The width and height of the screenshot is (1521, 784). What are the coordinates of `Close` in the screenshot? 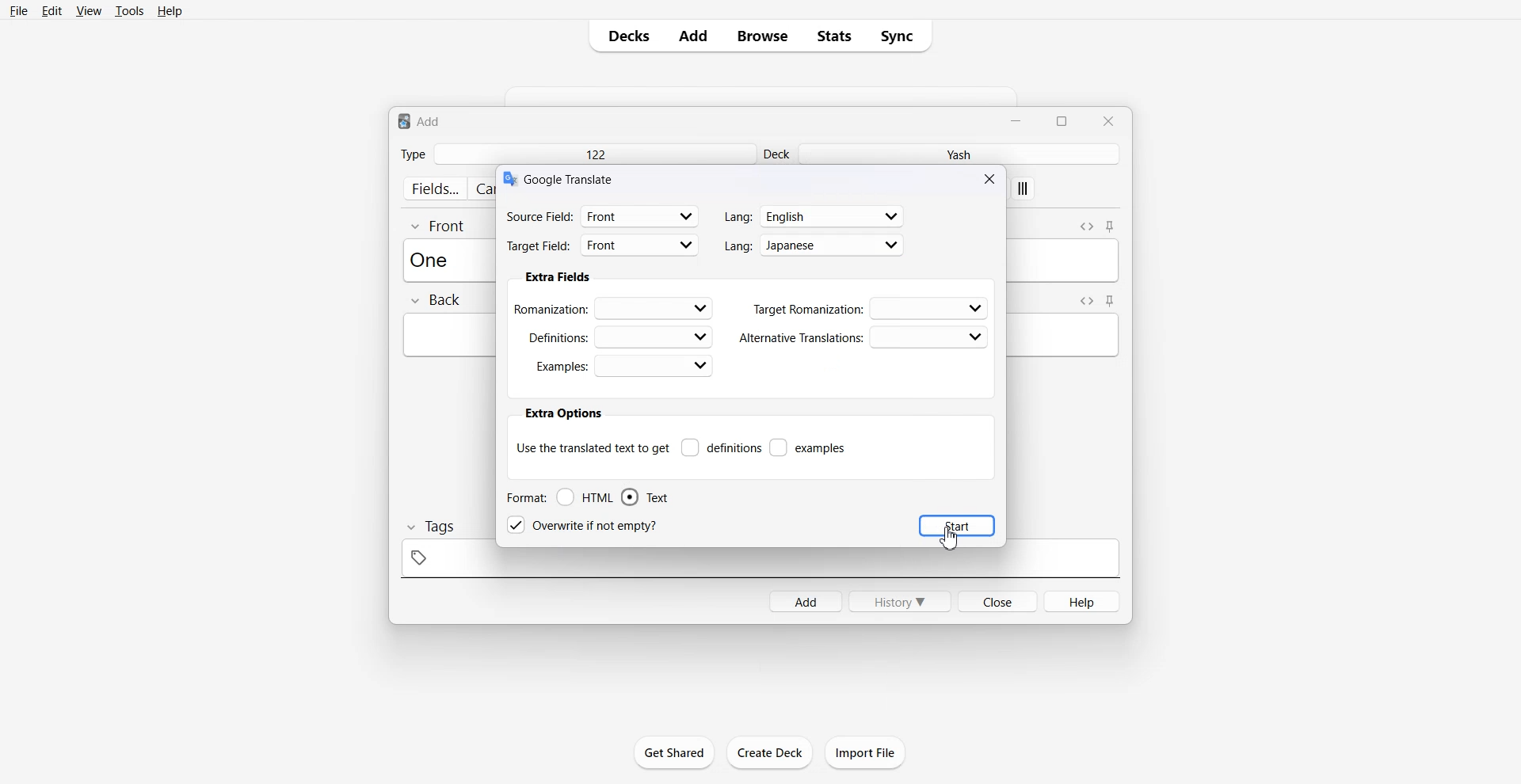 It's located at (1107, 120).